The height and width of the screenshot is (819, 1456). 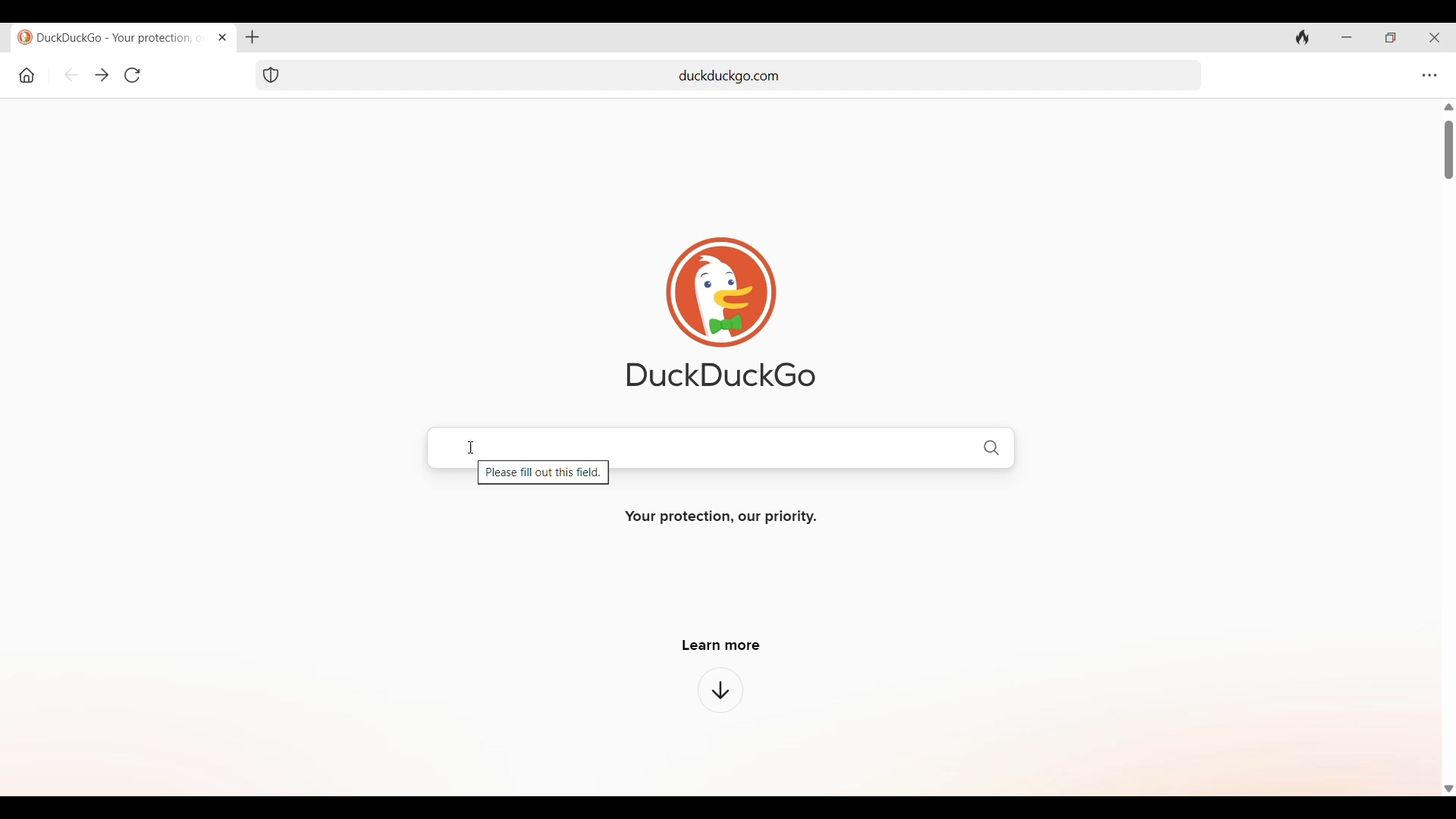 What do you see at coordinates (469, 447) in the screenshot?
I see `Cursor` at bounding box center [469, 447].